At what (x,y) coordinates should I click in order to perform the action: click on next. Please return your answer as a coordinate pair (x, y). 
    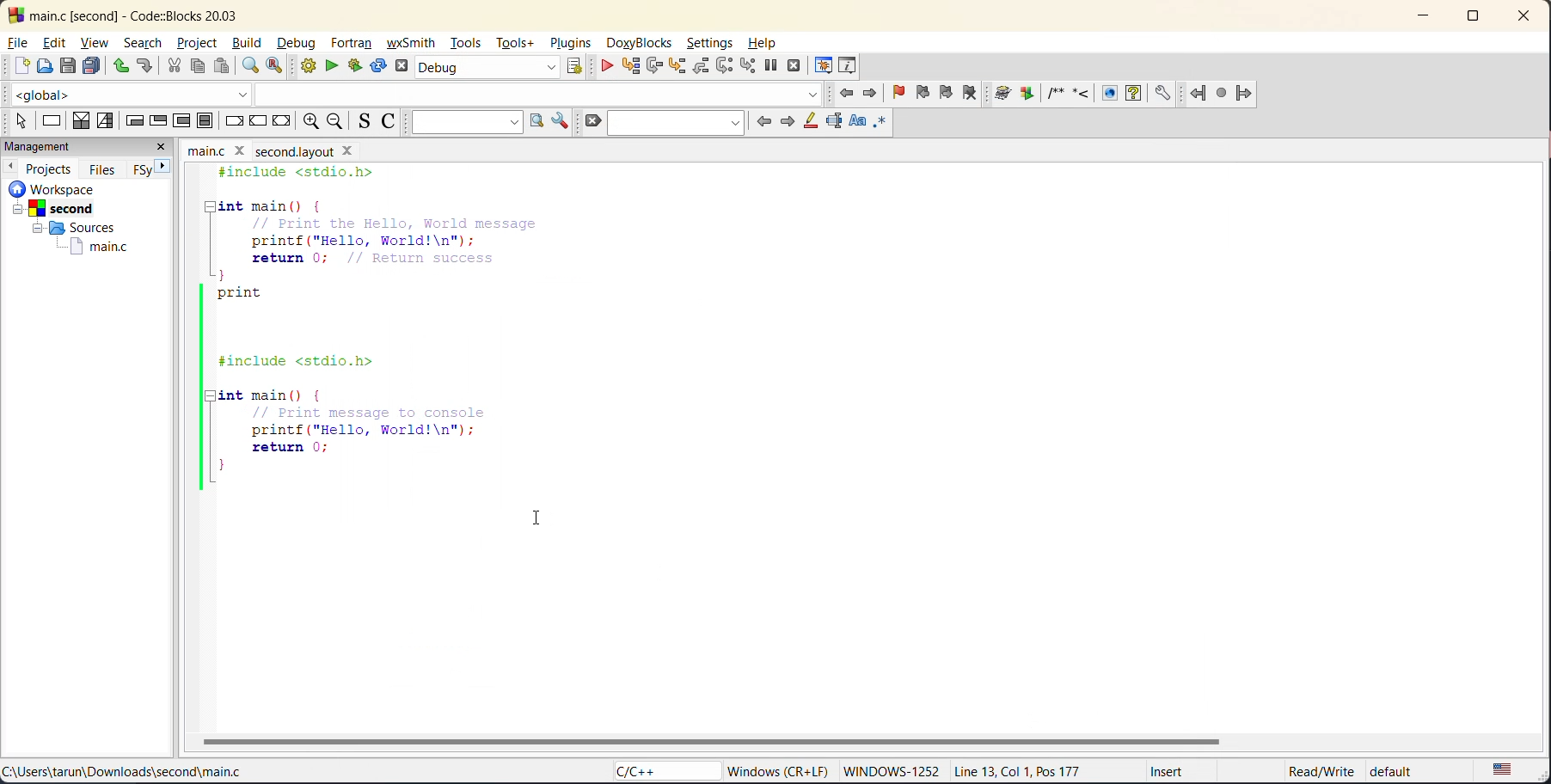
    Looking at the image, I should click on (169, 168).